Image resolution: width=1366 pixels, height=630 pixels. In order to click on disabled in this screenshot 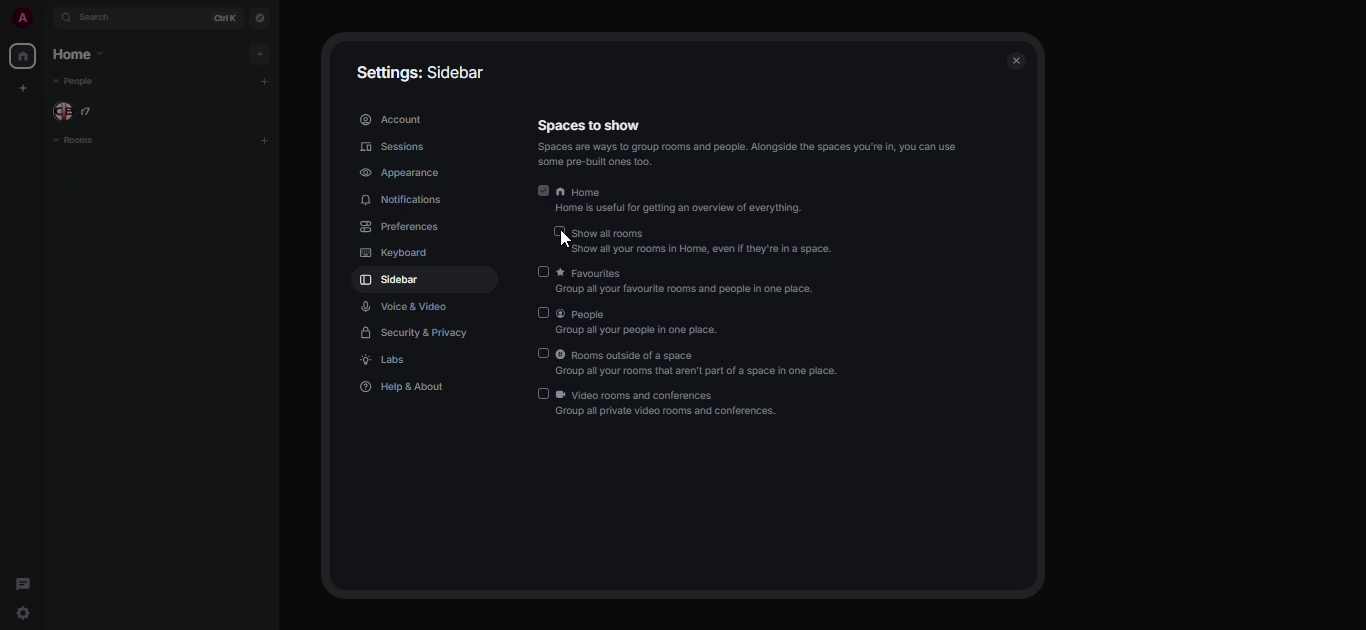, I will do `click(542, 271)`.